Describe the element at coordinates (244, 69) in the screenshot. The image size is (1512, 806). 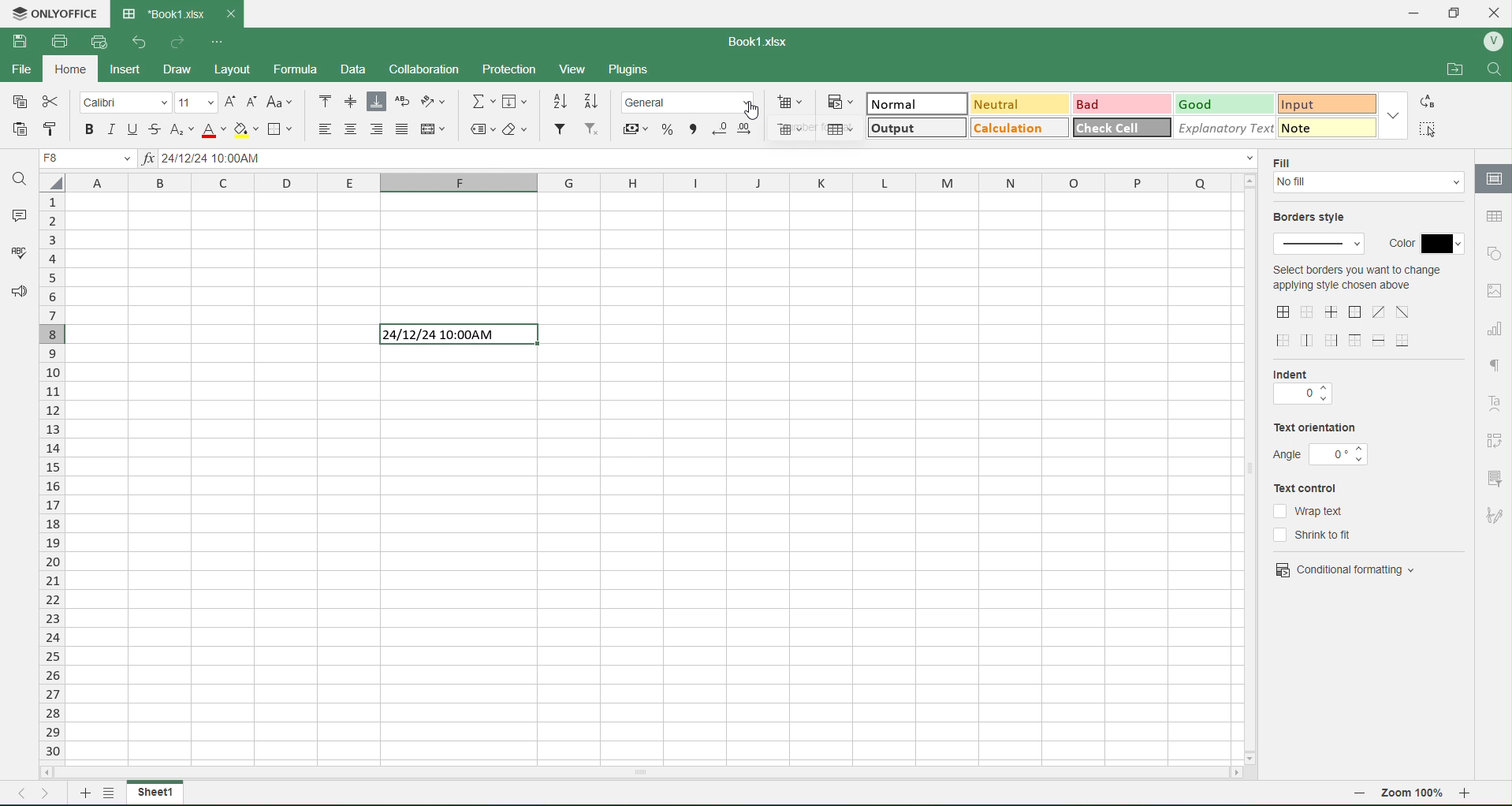
I see `Layout` at that location.